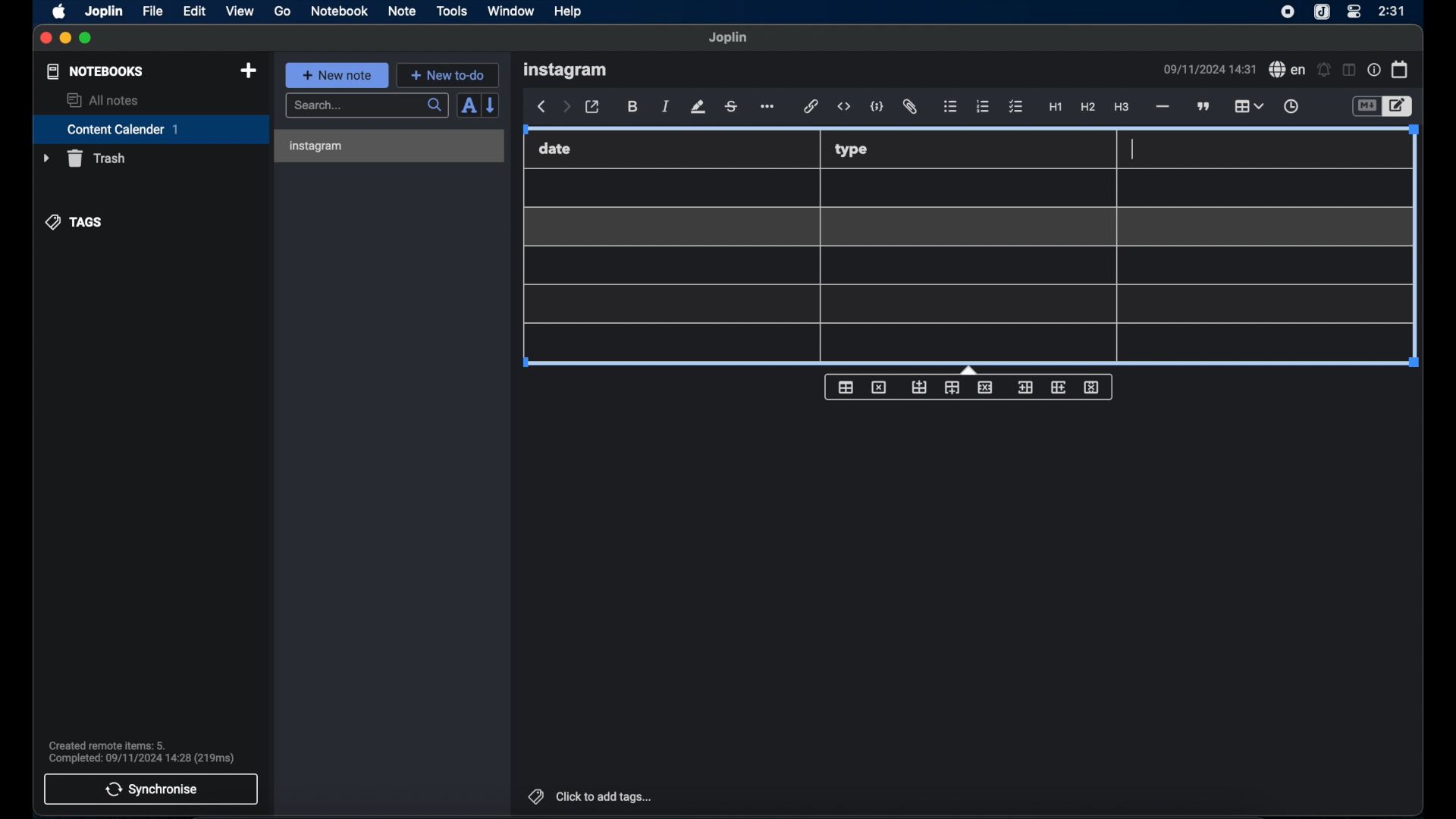 This screenshot has height=819, width=1456. Describe the element at coordinates (1401, 70) in the screenshot. I see `calendar icon` at that location.